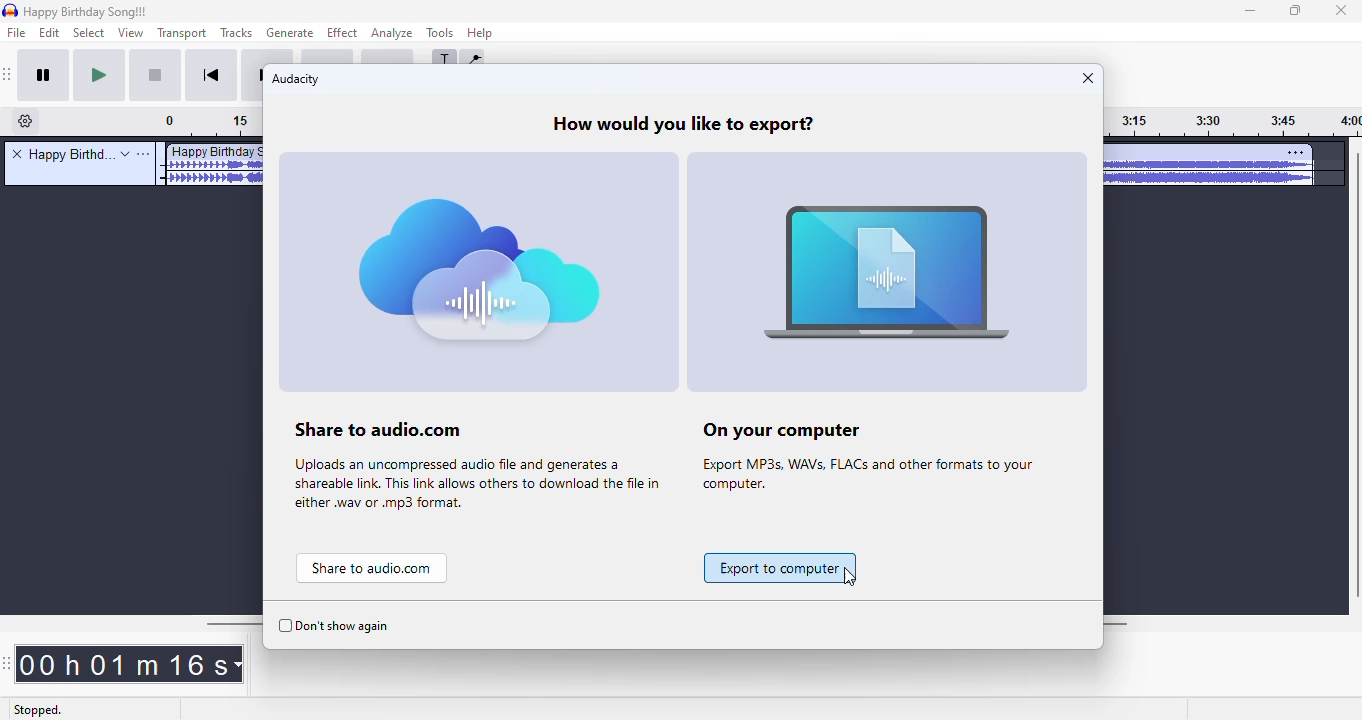 The image size is (1362, 720). I want to click on expand, so click(125, 154).